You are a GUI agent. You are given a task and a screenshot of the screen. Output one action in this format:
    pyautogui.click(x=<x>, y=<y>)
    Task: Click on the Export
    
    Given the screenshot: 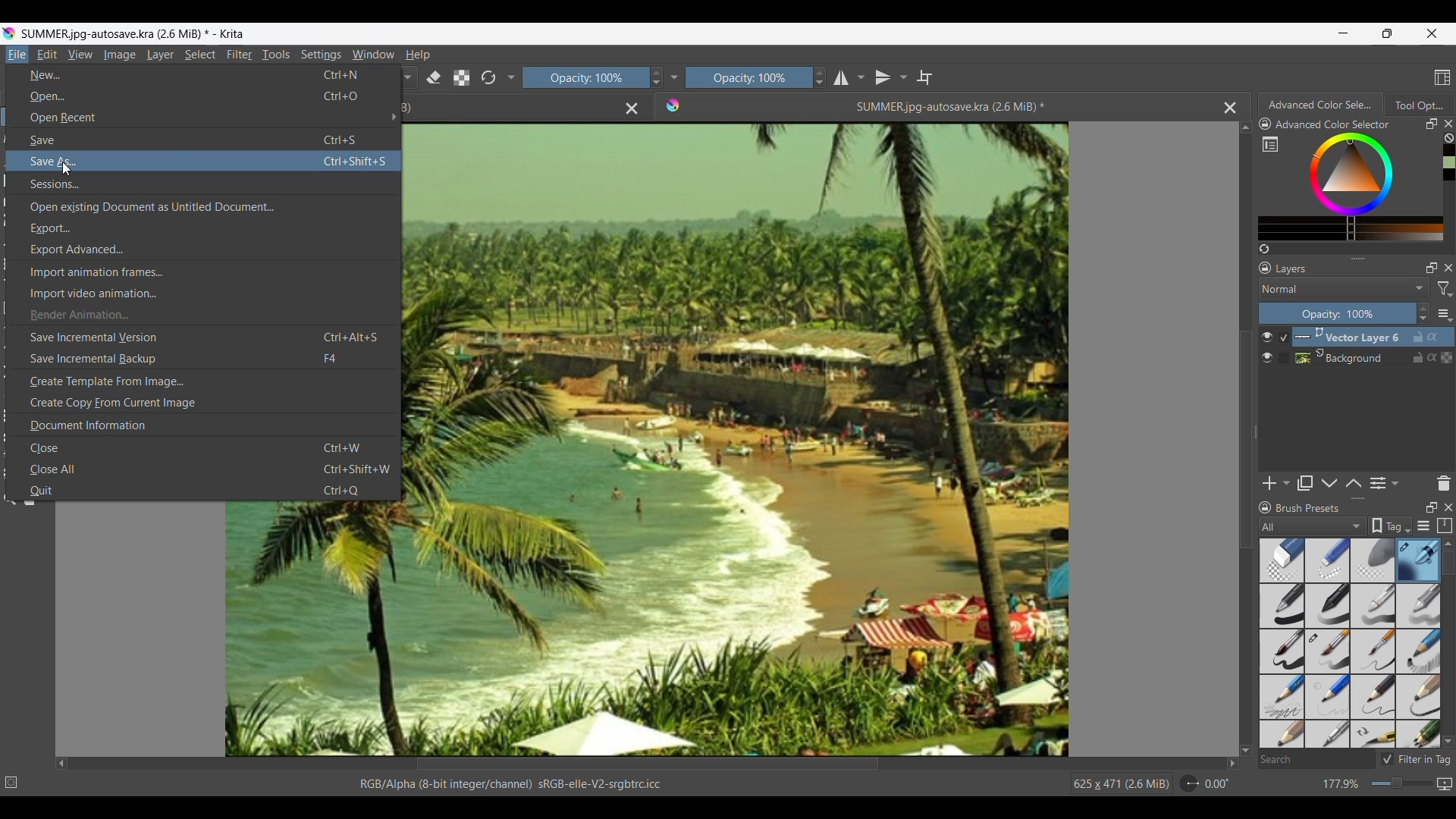 What is the action you would take?
    pyautogui.click(x=205, y=227)
    